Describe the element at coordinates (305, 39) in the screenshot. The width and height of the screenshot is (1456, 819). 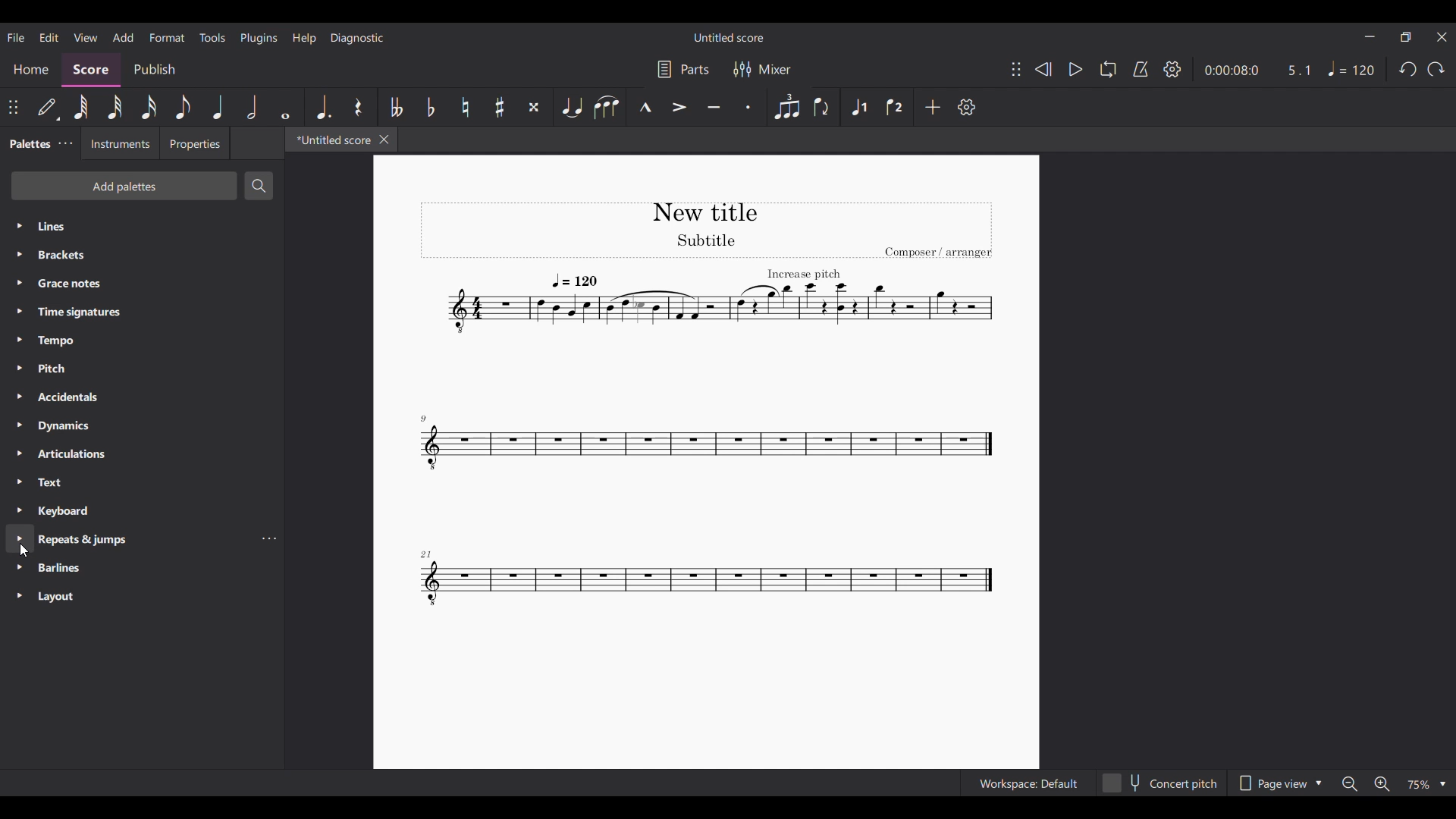
I see `Help menu` at that location.